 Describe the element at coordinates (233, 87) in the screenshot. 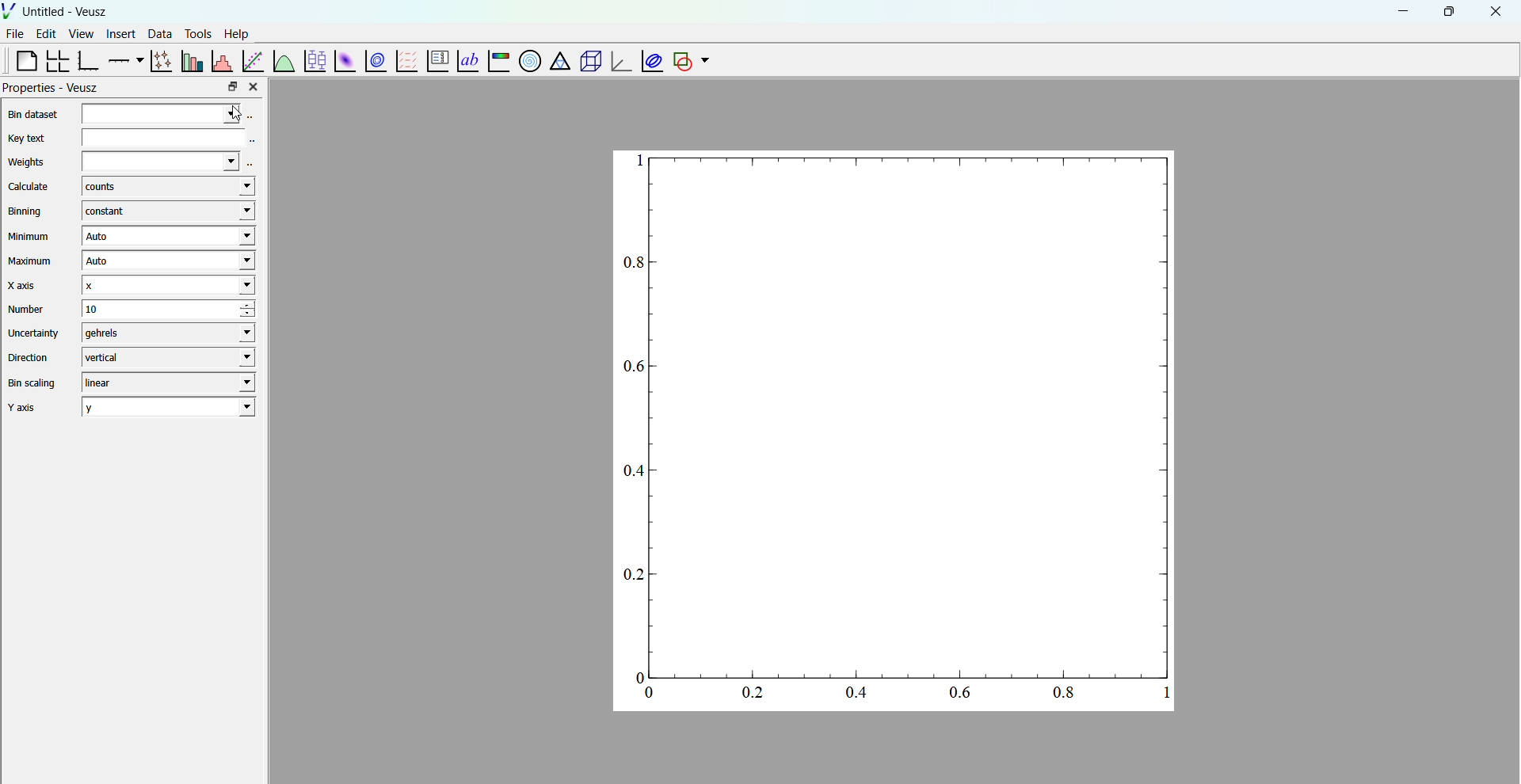

I see `maximize property bar` at that location.